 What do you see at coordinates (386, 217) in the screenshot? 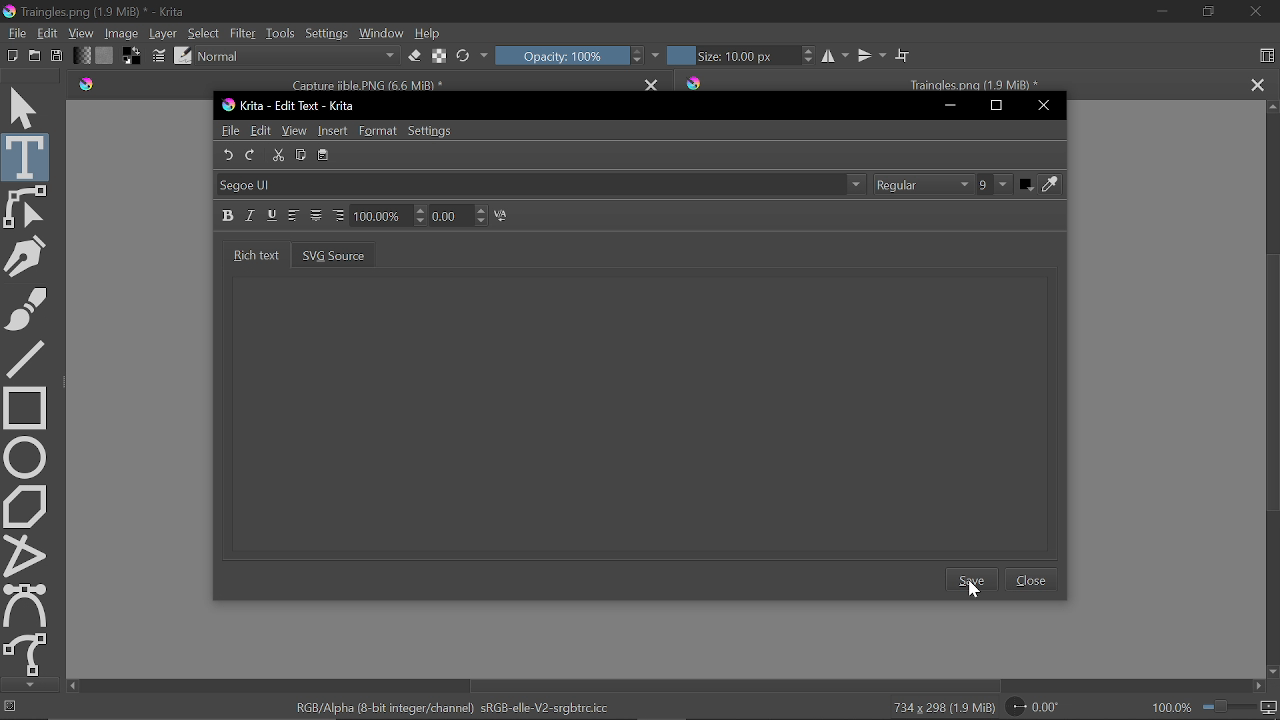
I see `100.00%` at bounding box center [386, 217].